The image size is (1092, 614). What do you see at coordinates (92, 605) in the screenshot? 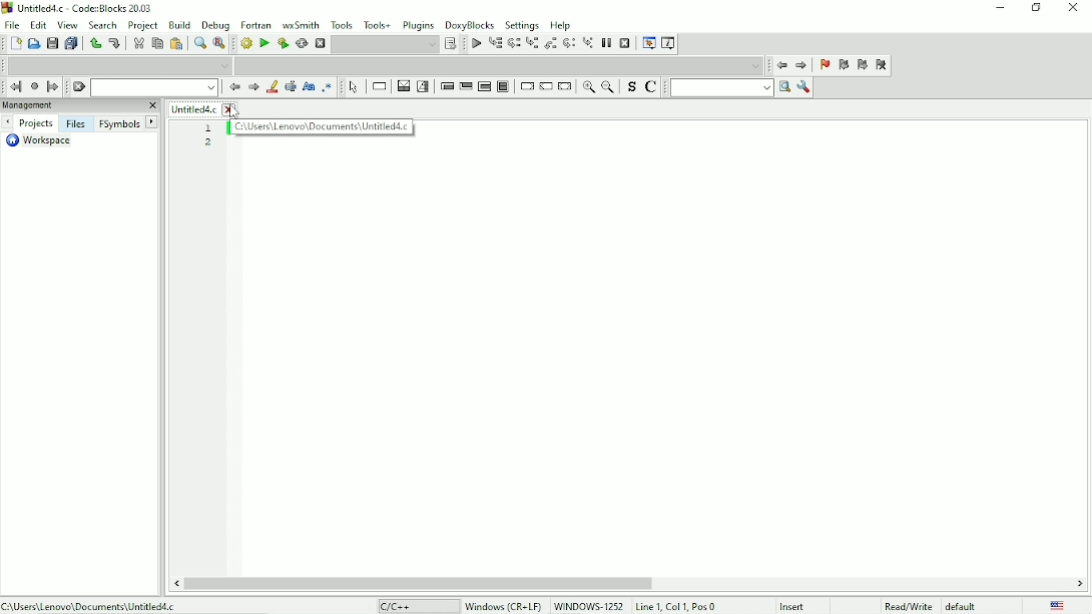
I see `File name and location` at bounding box center [92, 605].